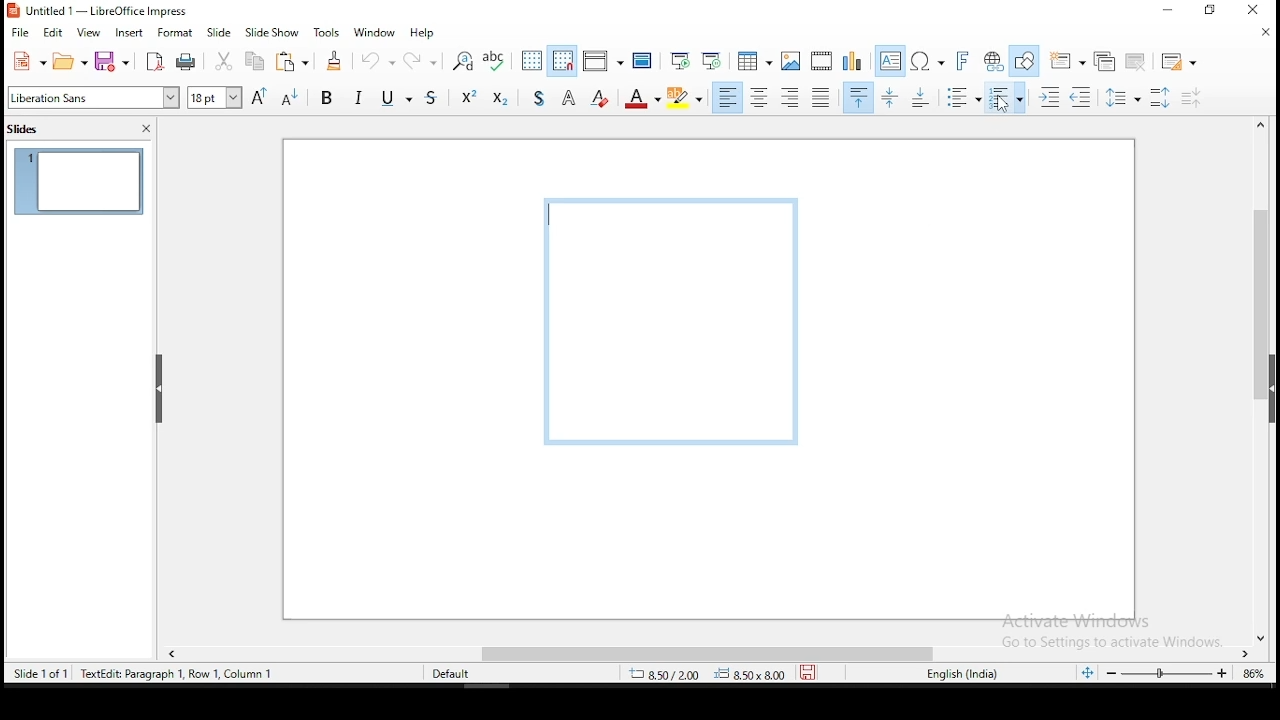 This screenshot has height=720, width=1280. I want to click on underline, so click(387, 100).